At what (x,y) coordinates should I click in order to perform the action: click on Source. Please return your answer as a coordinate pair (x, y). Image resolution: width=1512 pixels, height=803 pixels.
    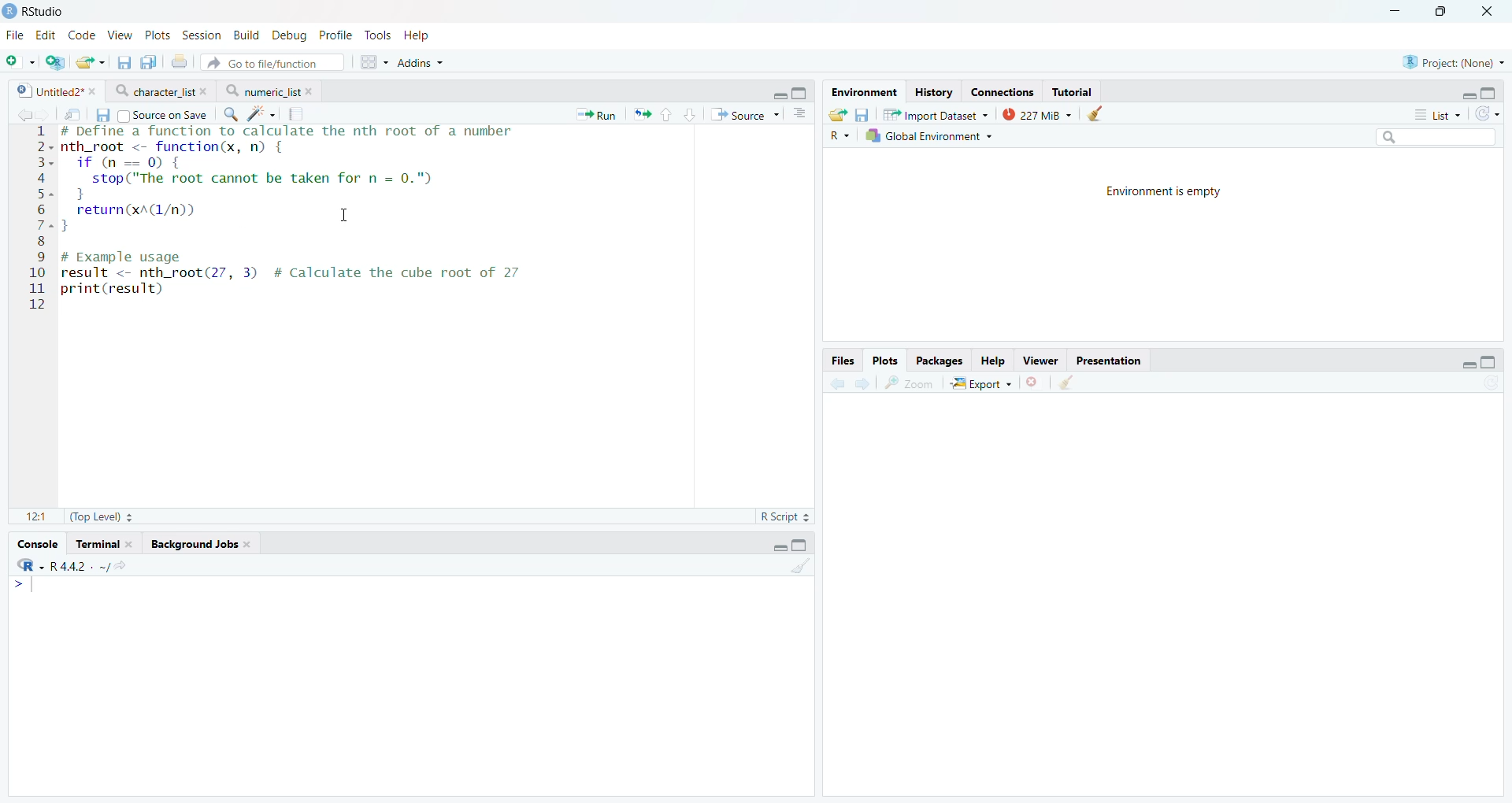
    Looking at the image, I should click on (744, 114).